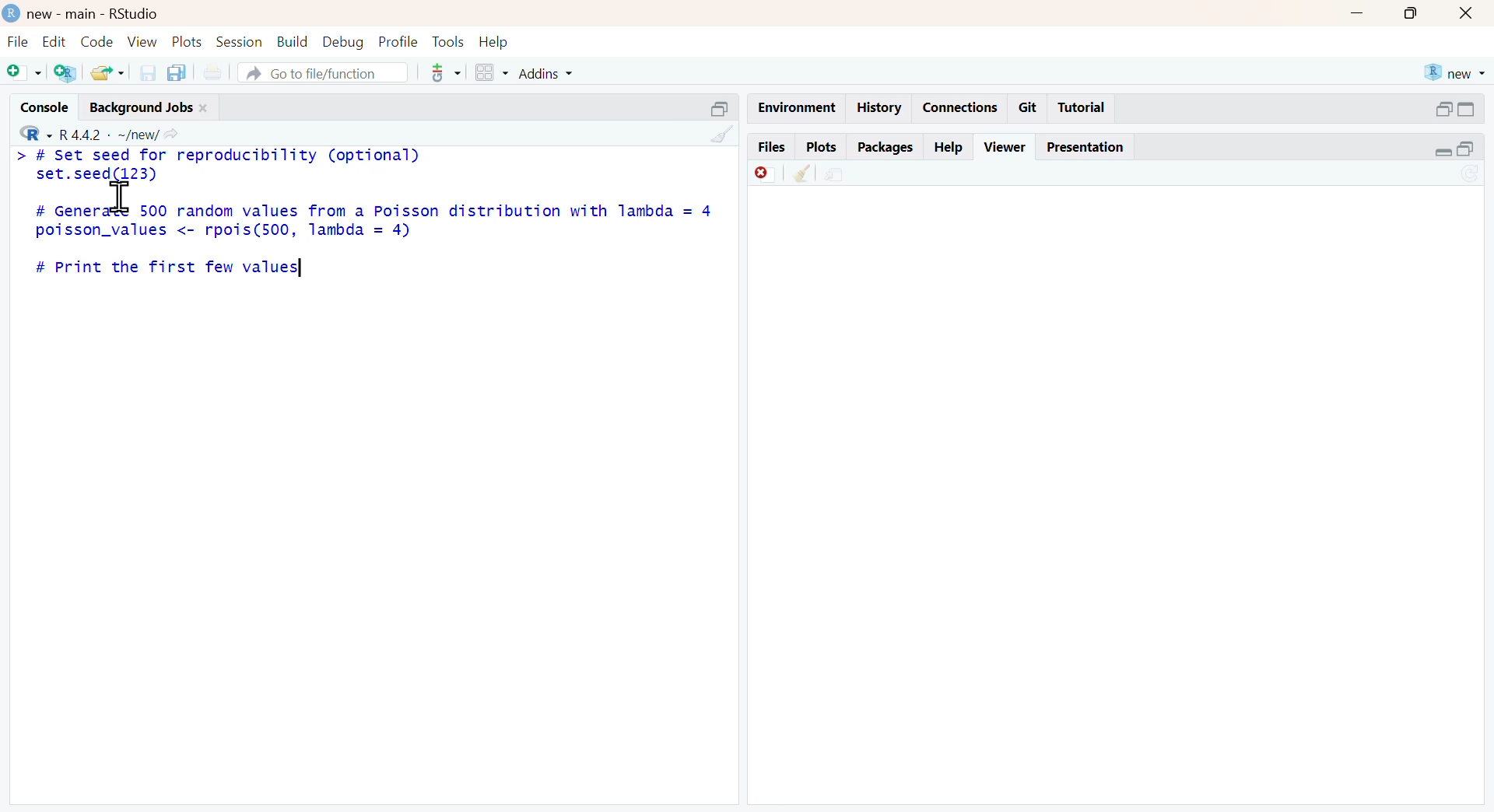 The width and height of the screenshot is (1494, 812). Describe the element at coordinates (450, 41) in the screenshot. I see `tools` at that location.